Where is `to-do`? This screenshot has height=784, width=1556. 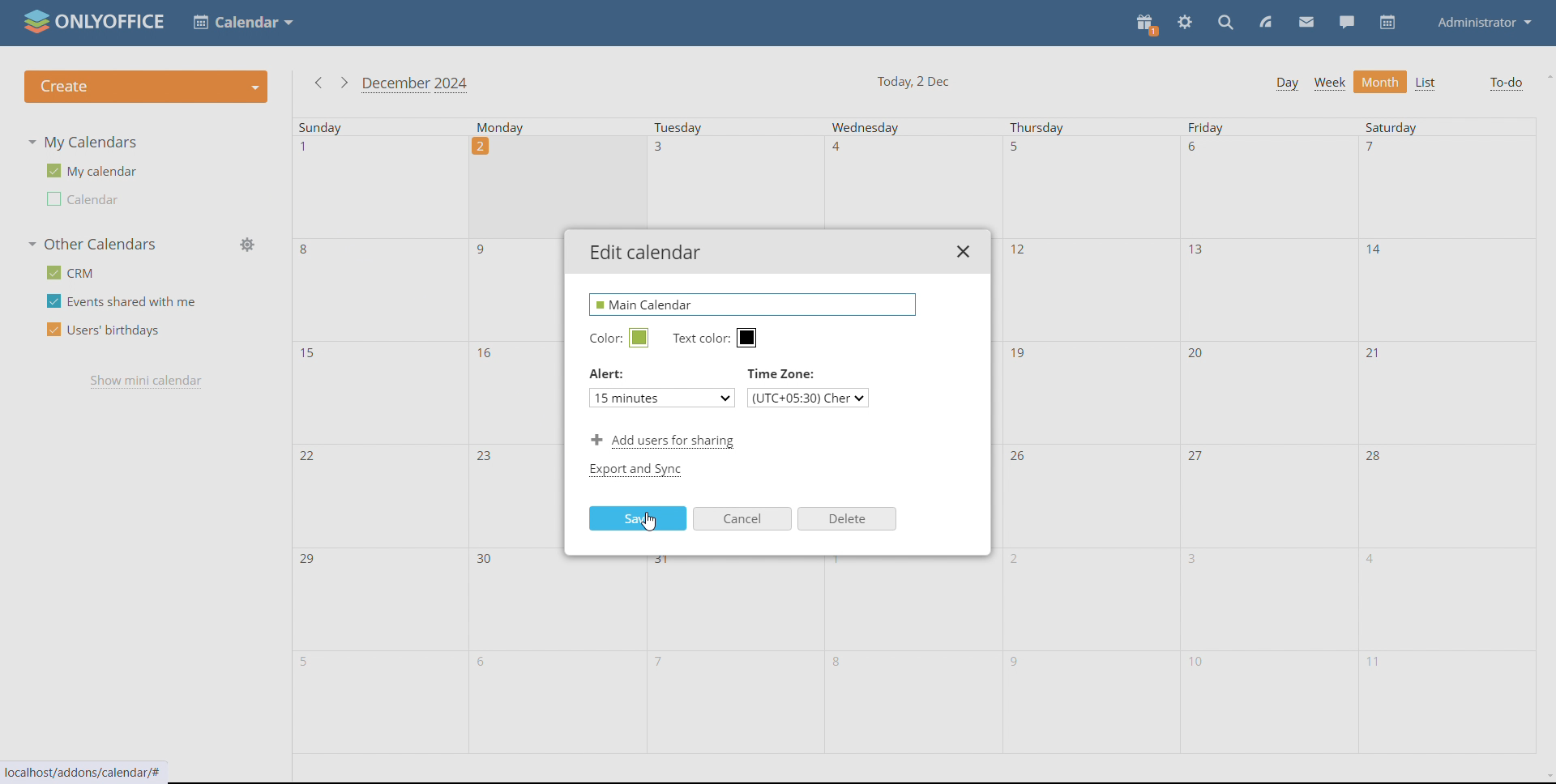 to-do is located at coordinates (1506, 83).